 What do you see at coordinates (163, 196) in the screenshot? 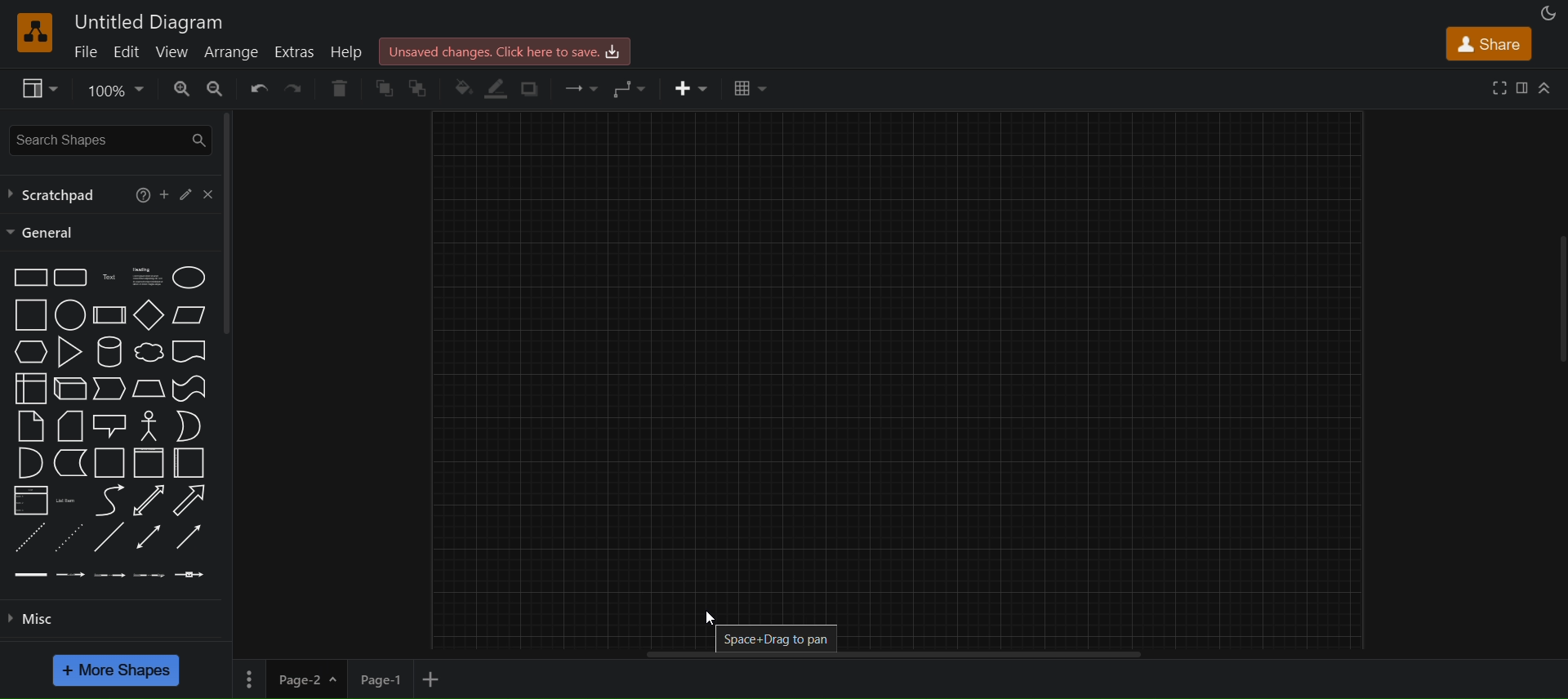
I see `add` at bounding box center [163, 196].